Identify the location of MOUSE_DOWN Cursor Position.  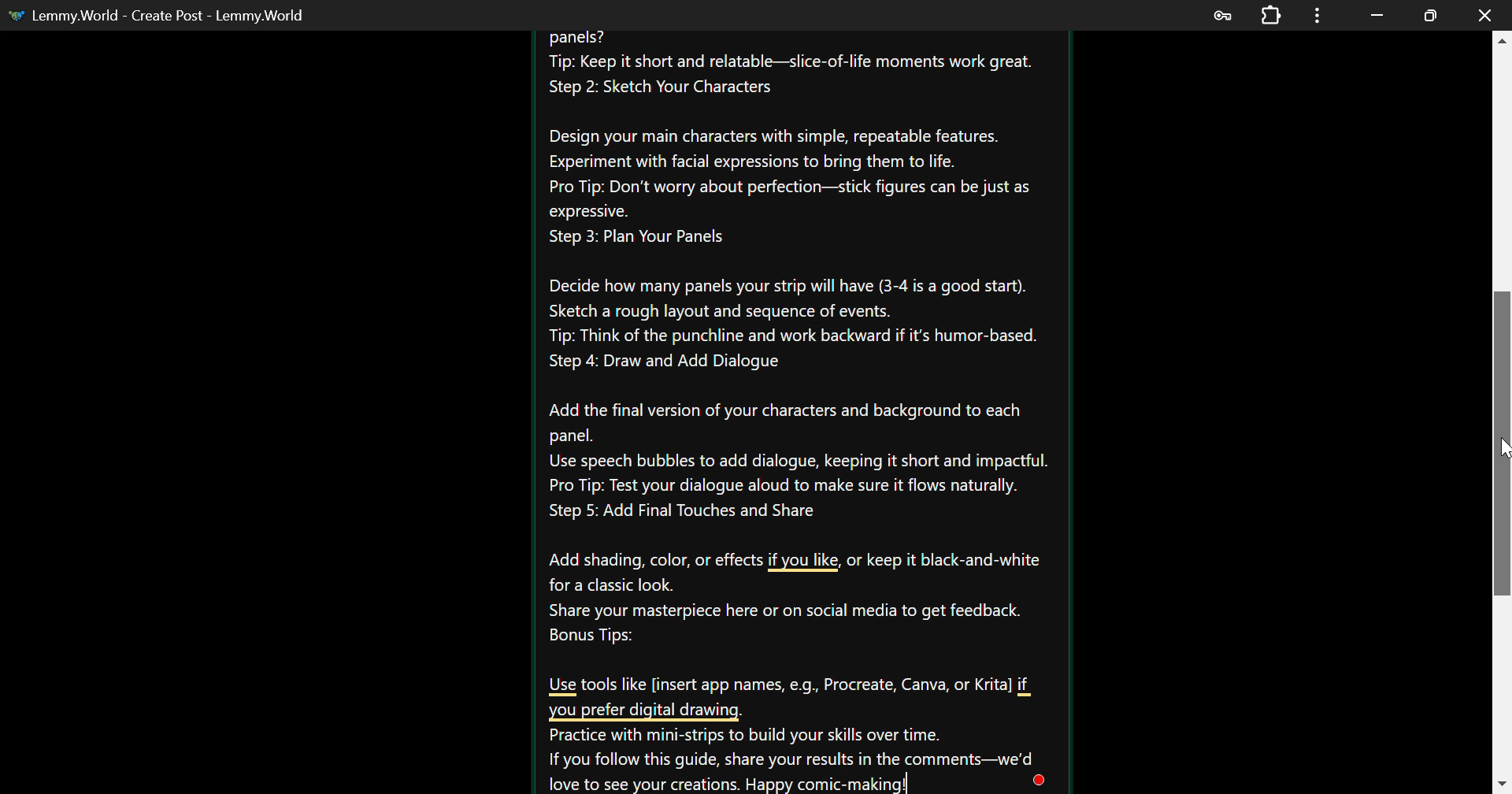
(1501, 447).